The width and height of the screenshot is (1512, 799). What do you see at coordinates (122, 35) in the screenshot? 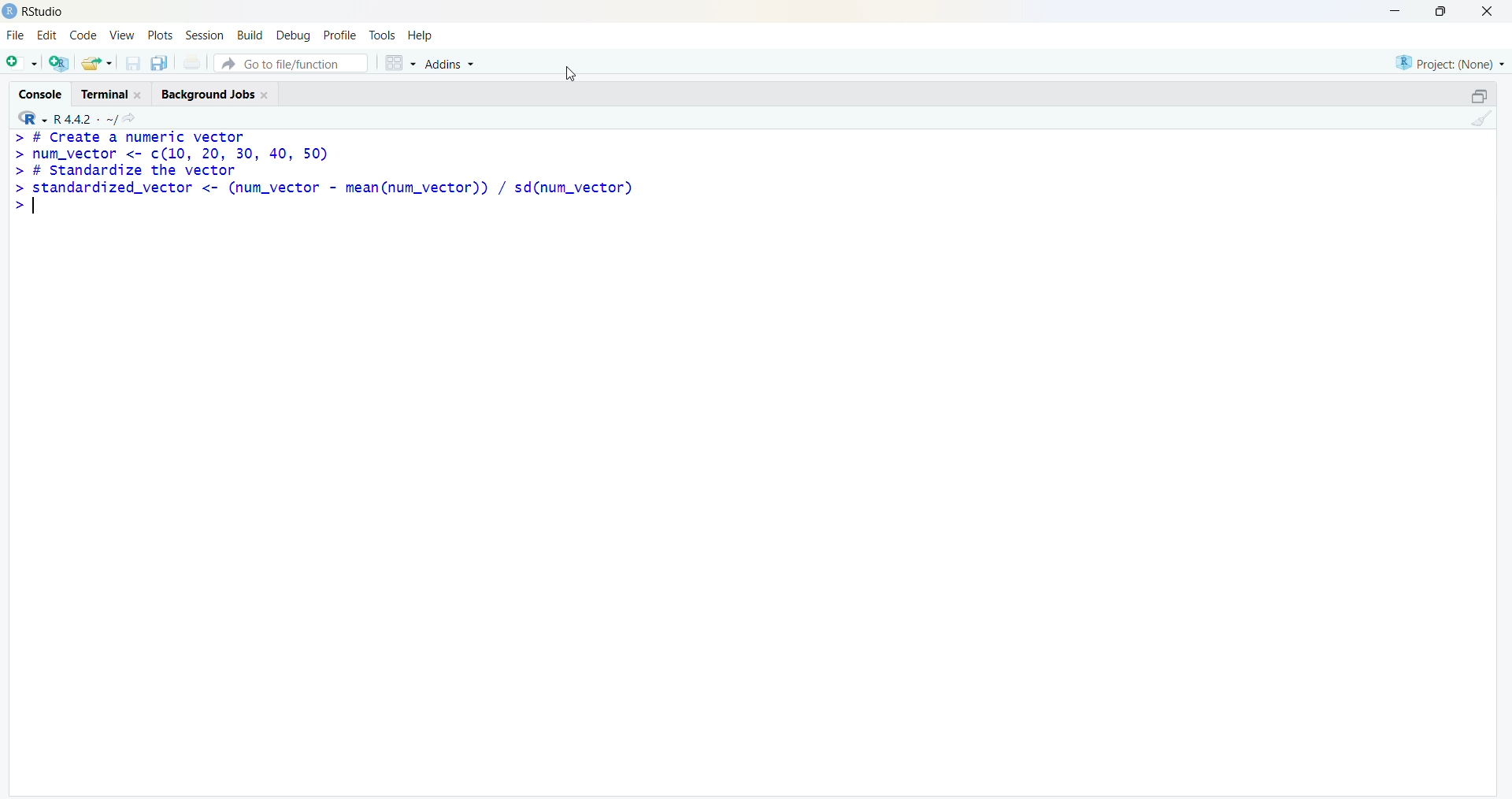
I see `view` at bounding box center [122, 35].